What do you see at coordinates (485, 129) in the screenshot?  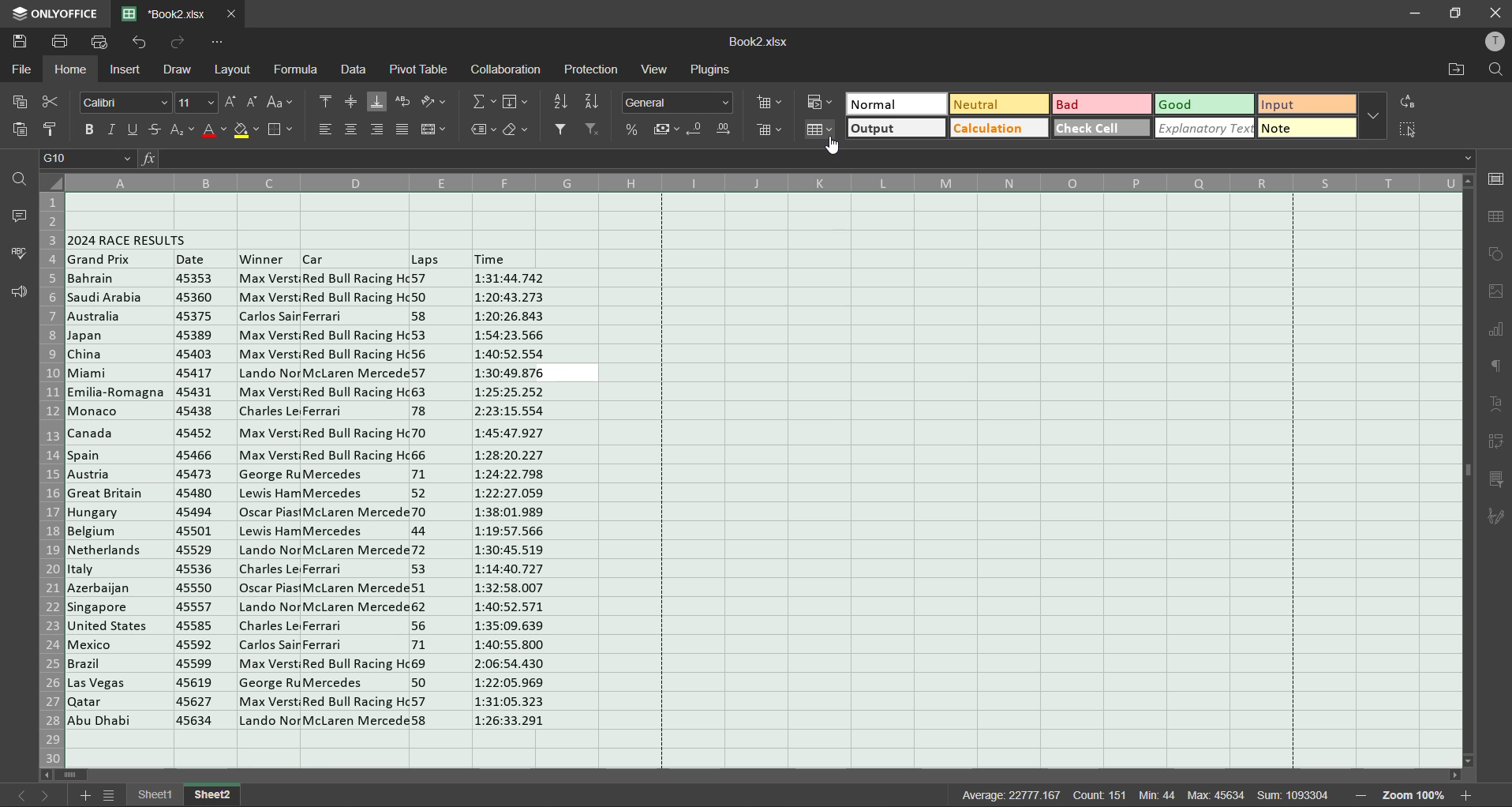 I see `named ranges` at bounding box center [485, 129].